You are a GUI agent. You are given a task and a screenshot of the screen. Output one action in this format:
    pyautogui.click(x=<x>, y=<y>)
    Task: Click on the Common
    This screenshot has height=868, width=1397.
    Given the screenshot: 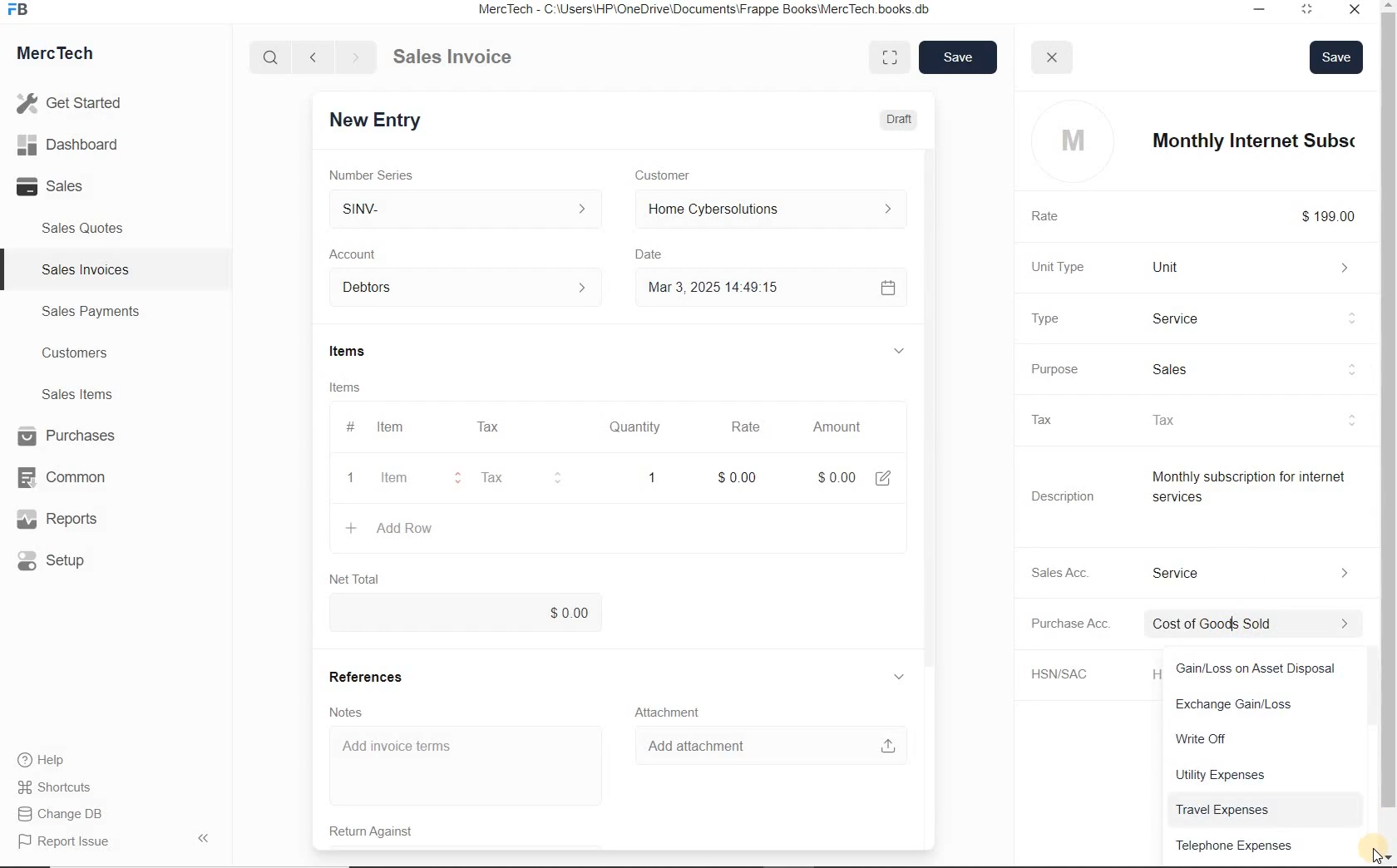 What is the action you would take?
    pyautogui.click(x=69, y=476)
    